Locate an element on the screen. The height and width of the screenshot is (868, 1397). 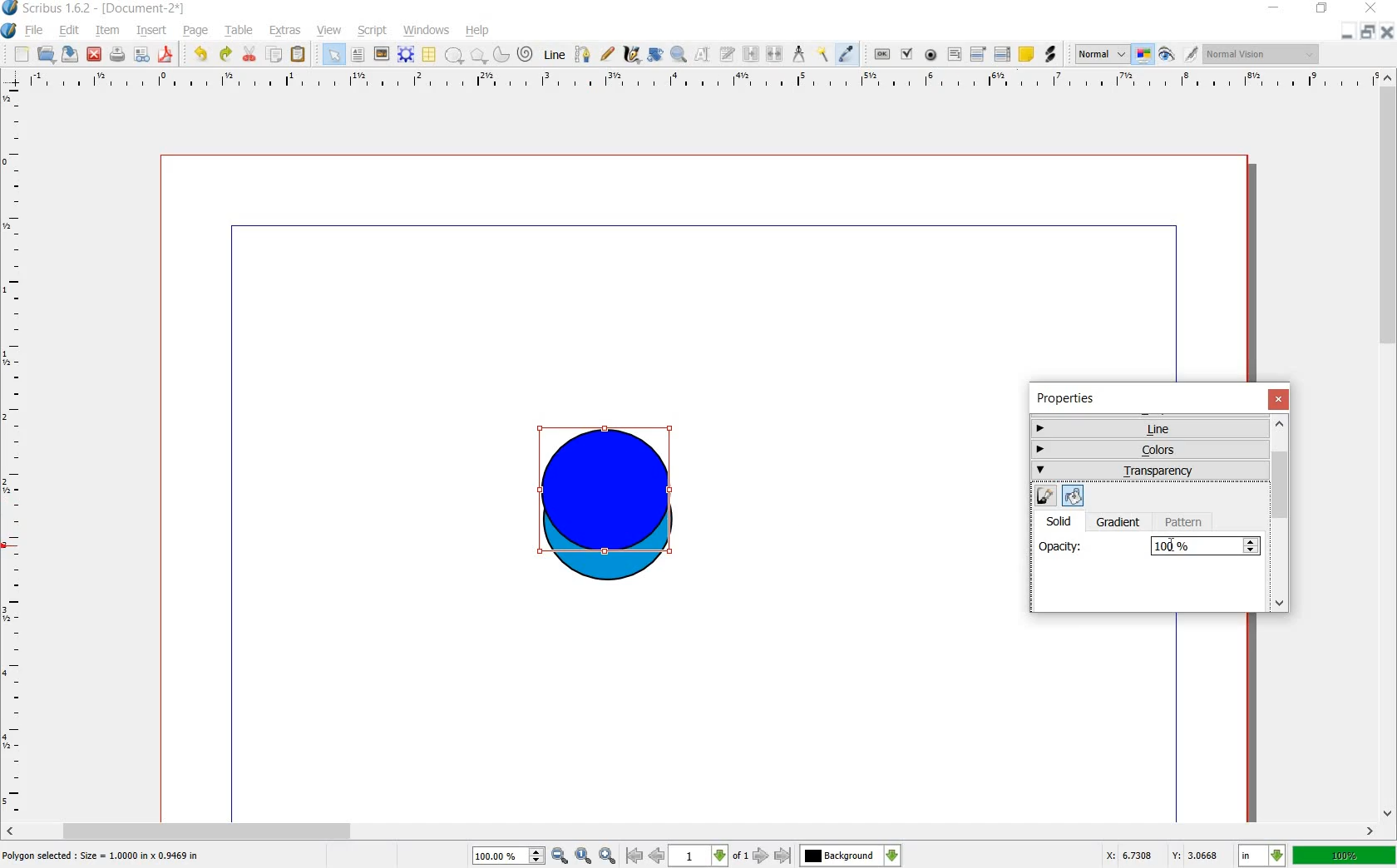
minimize is located at coordinates (1274, 7).